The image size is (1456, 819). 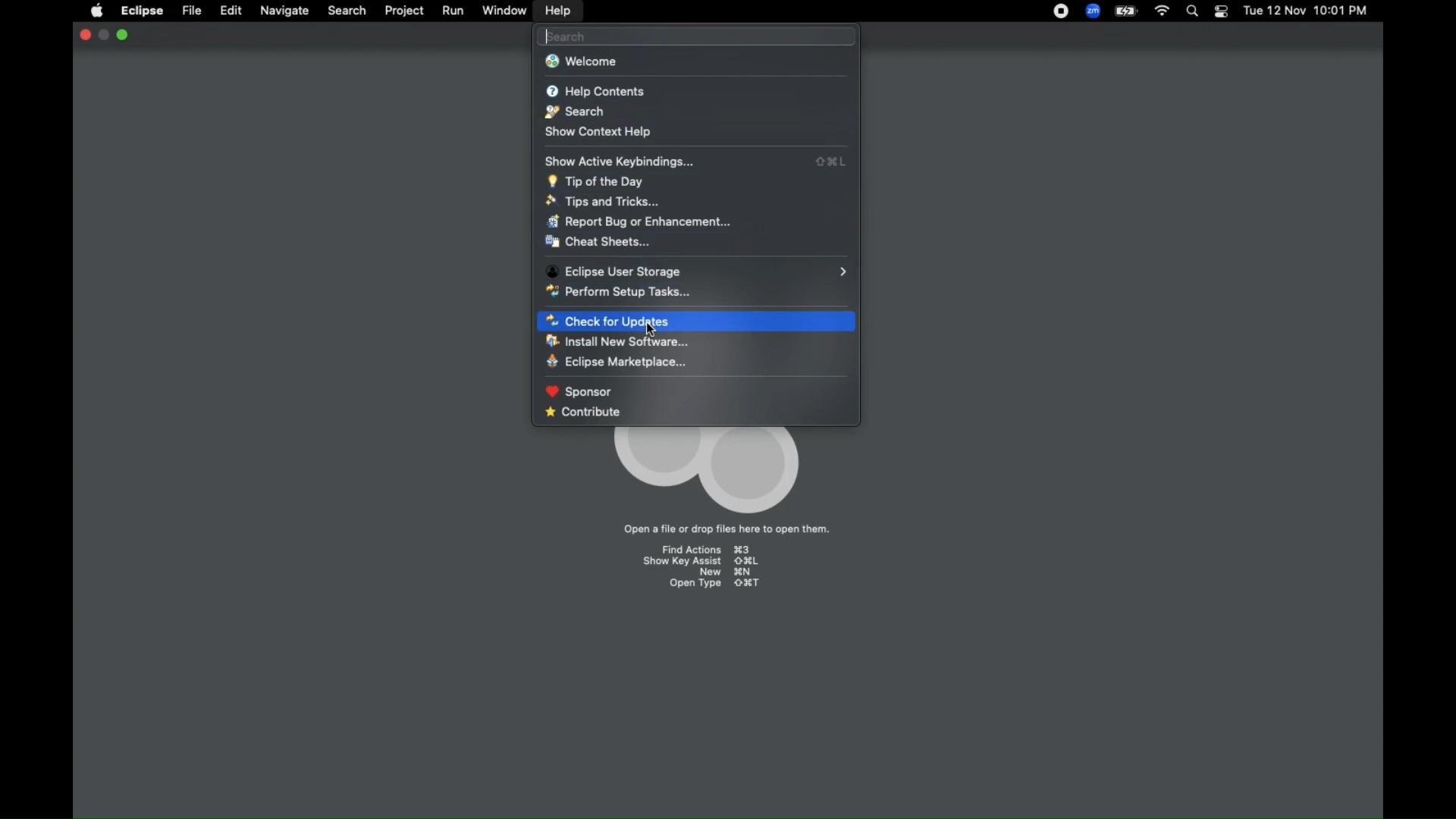 I want to click on Run, so click(x=453, y=12).